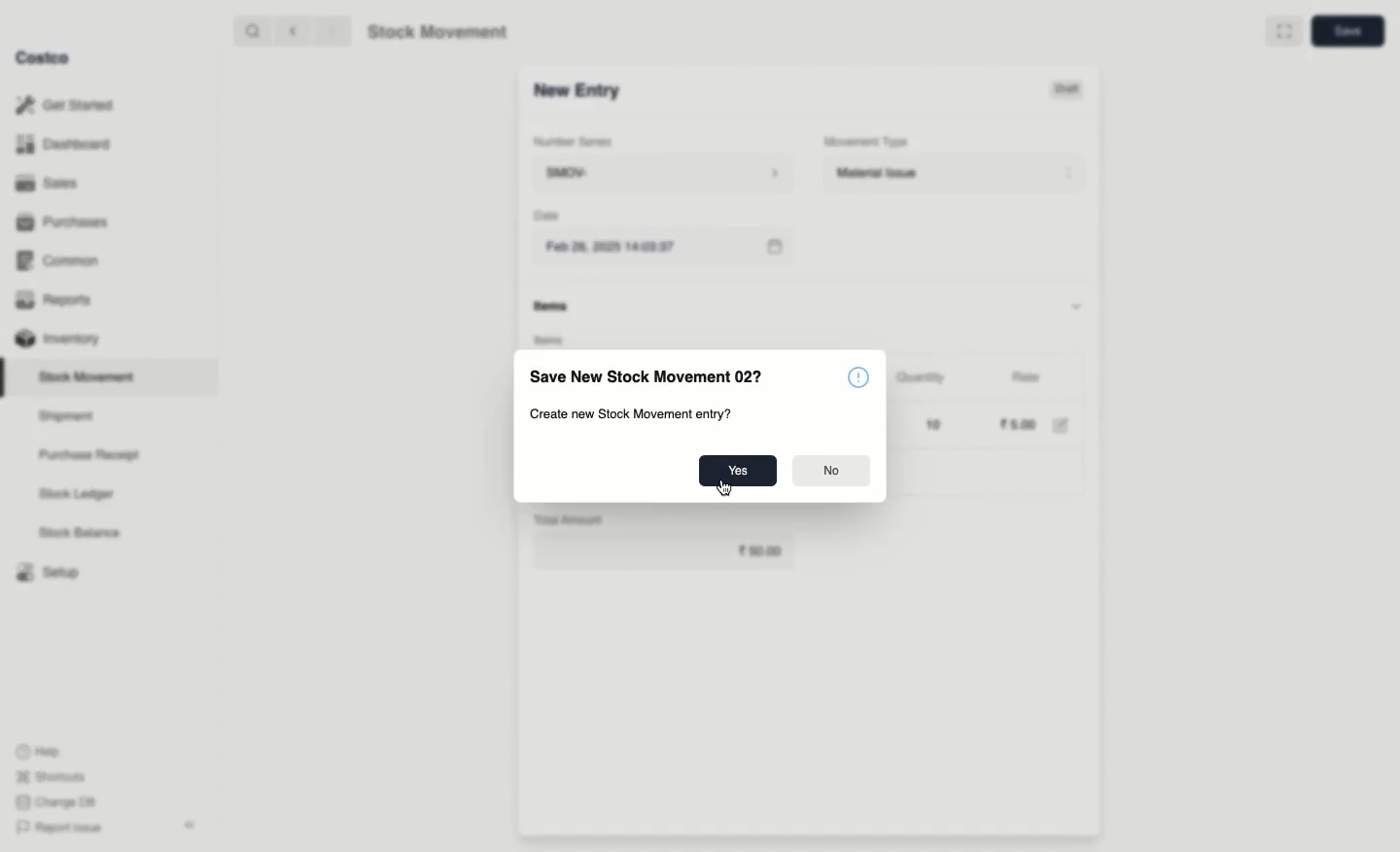 Image resolution: width=1400 pixels, height=852 pixels. What do you see at coordinates (1079, 304) in the screenshot?
I see `hide` at bounding box center [1079, 304].